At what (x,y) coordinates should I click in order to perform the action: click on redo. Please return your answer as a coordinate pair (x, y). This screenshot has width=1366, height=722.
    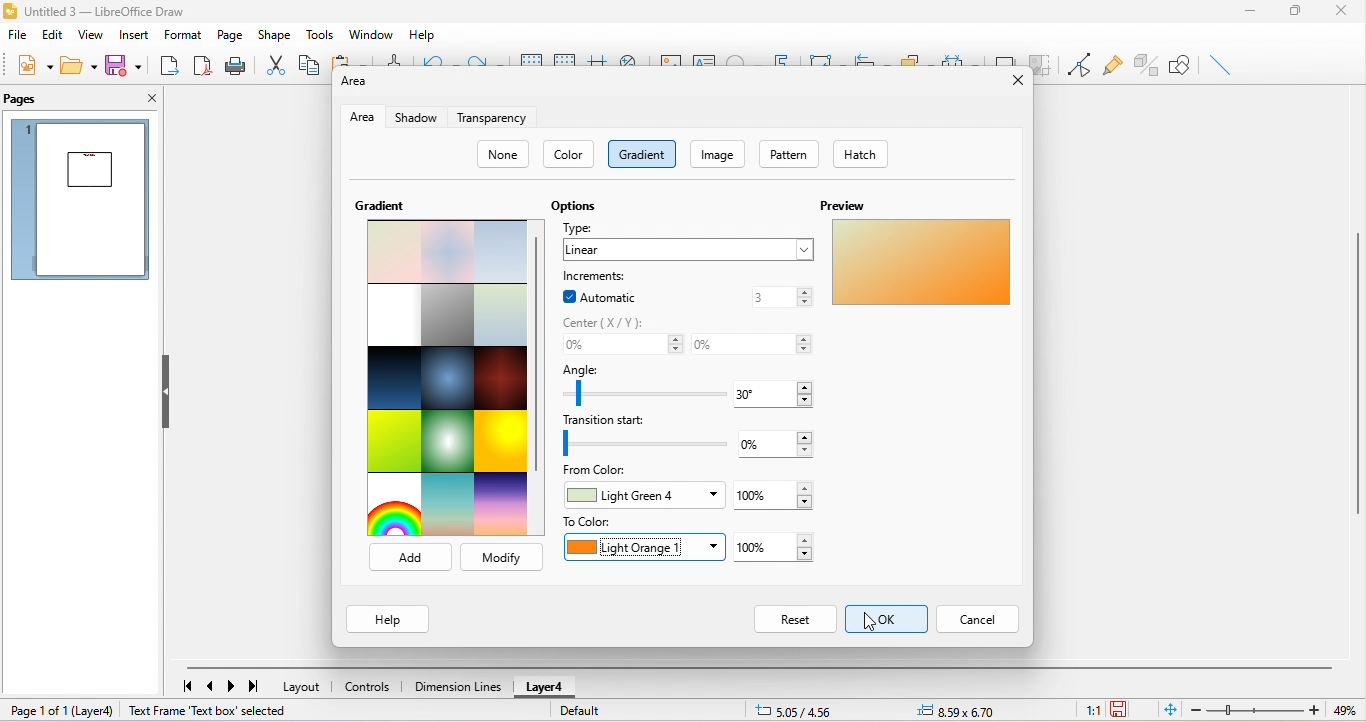
    Looking at the image, I should click on (486, 58).